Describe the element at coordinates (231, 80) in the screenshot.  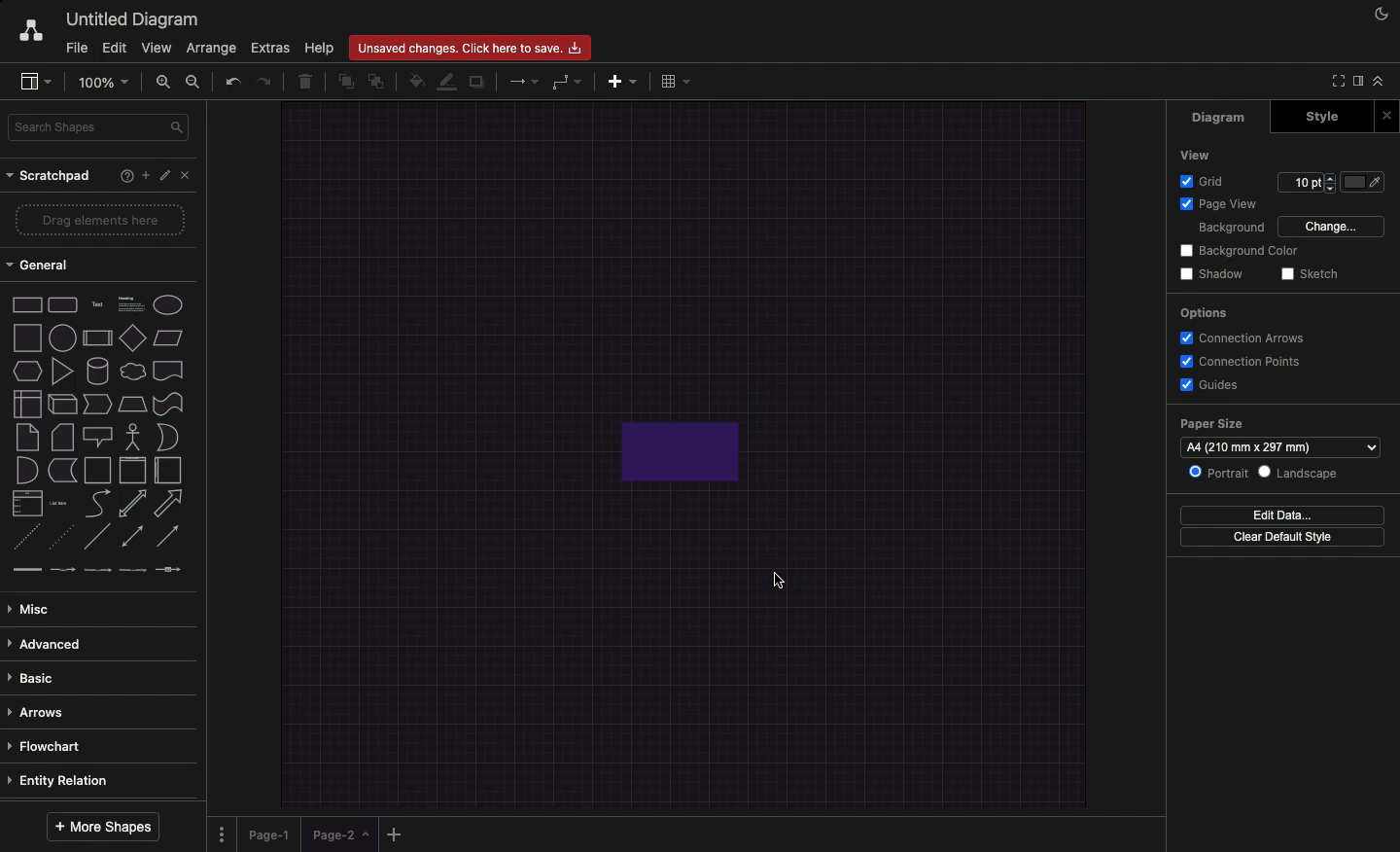
I see `Undo` at that location.